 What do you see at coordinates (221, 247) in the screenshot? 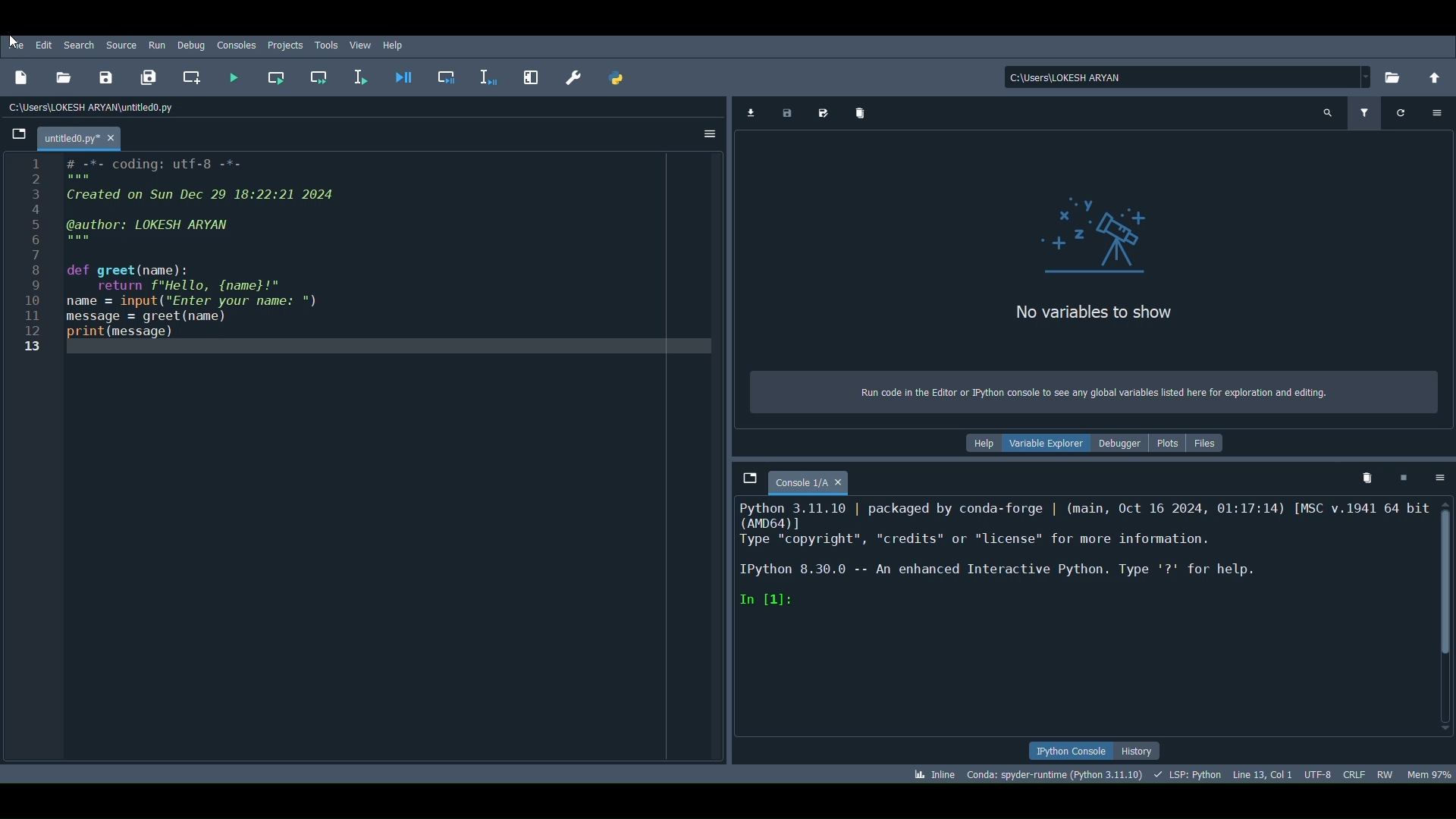
I see `aE CELL i
Created on Sun Dec 29 18:22:21 2024
@author: LOKESH ARYAN
def greet(name):

return f"Hello, {name}!"
name = input ("Enter your name: ")
message = greet (name)
print (message)` at bounding box center [221, 247].